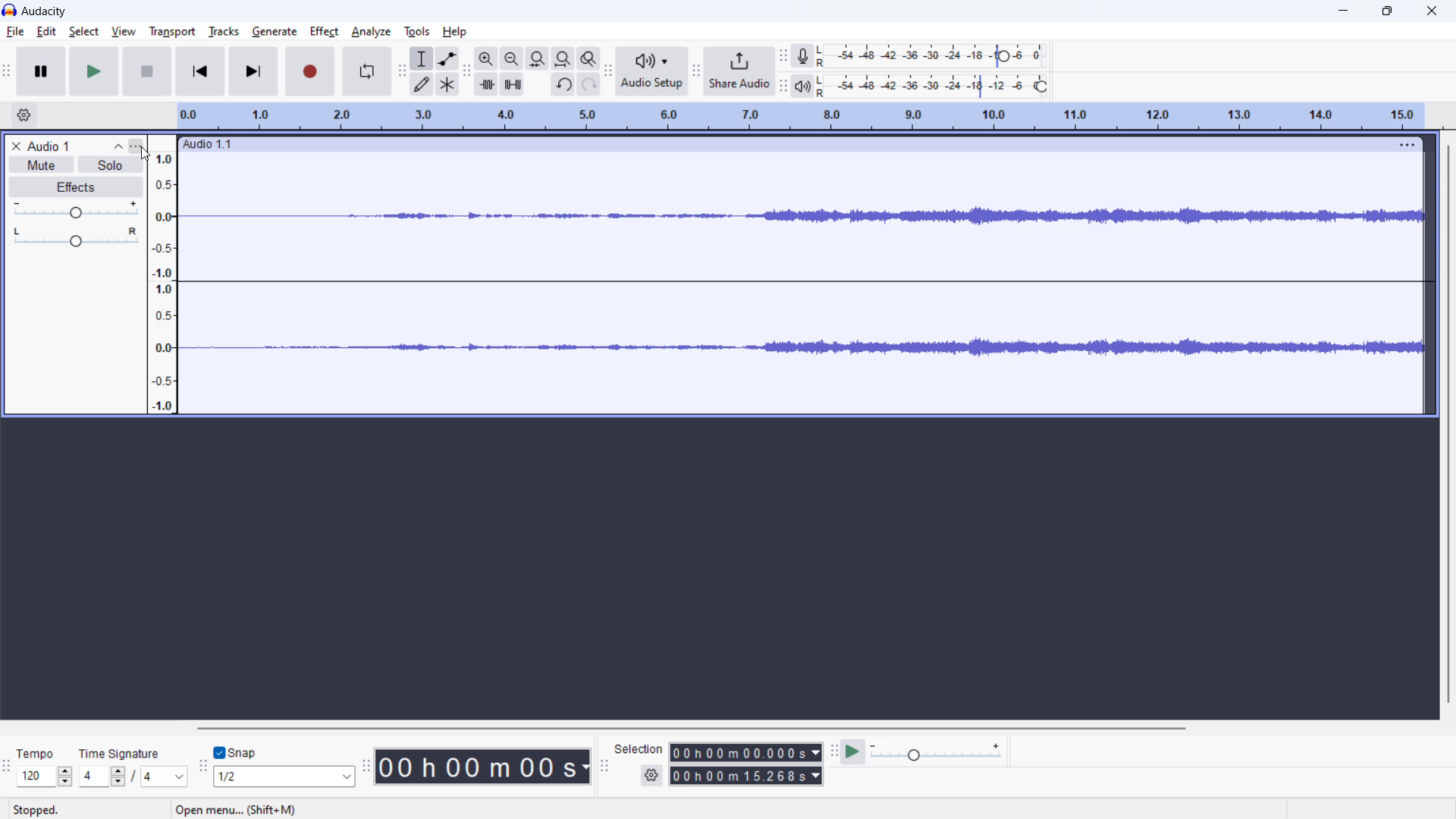 This screenshot has height=819, width=1456. What do you see at coordinates (275, 32) in the screenshot?
I see `generate` at bounding box center [275, 32].